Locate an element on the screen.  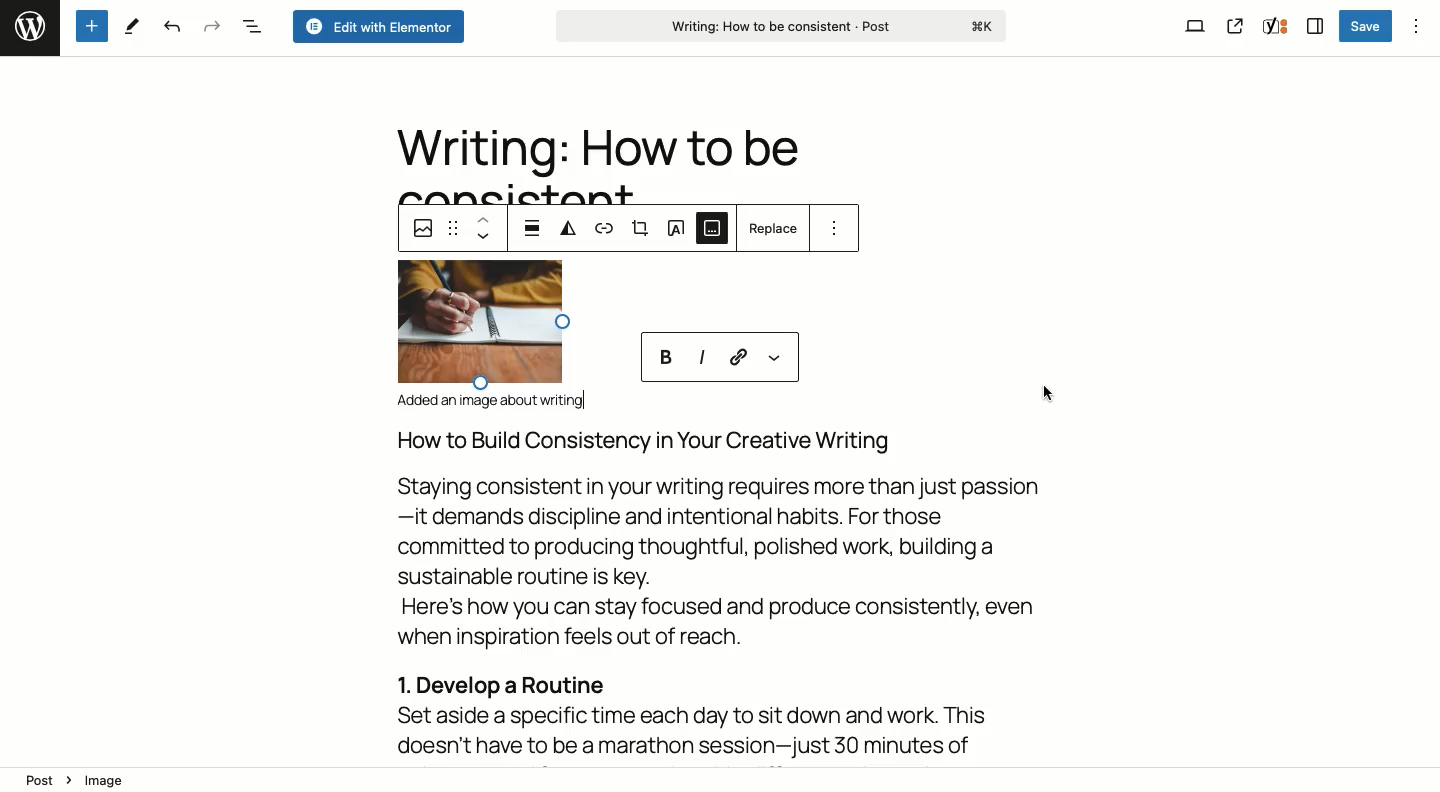
More is located at coordinates (774, 361).